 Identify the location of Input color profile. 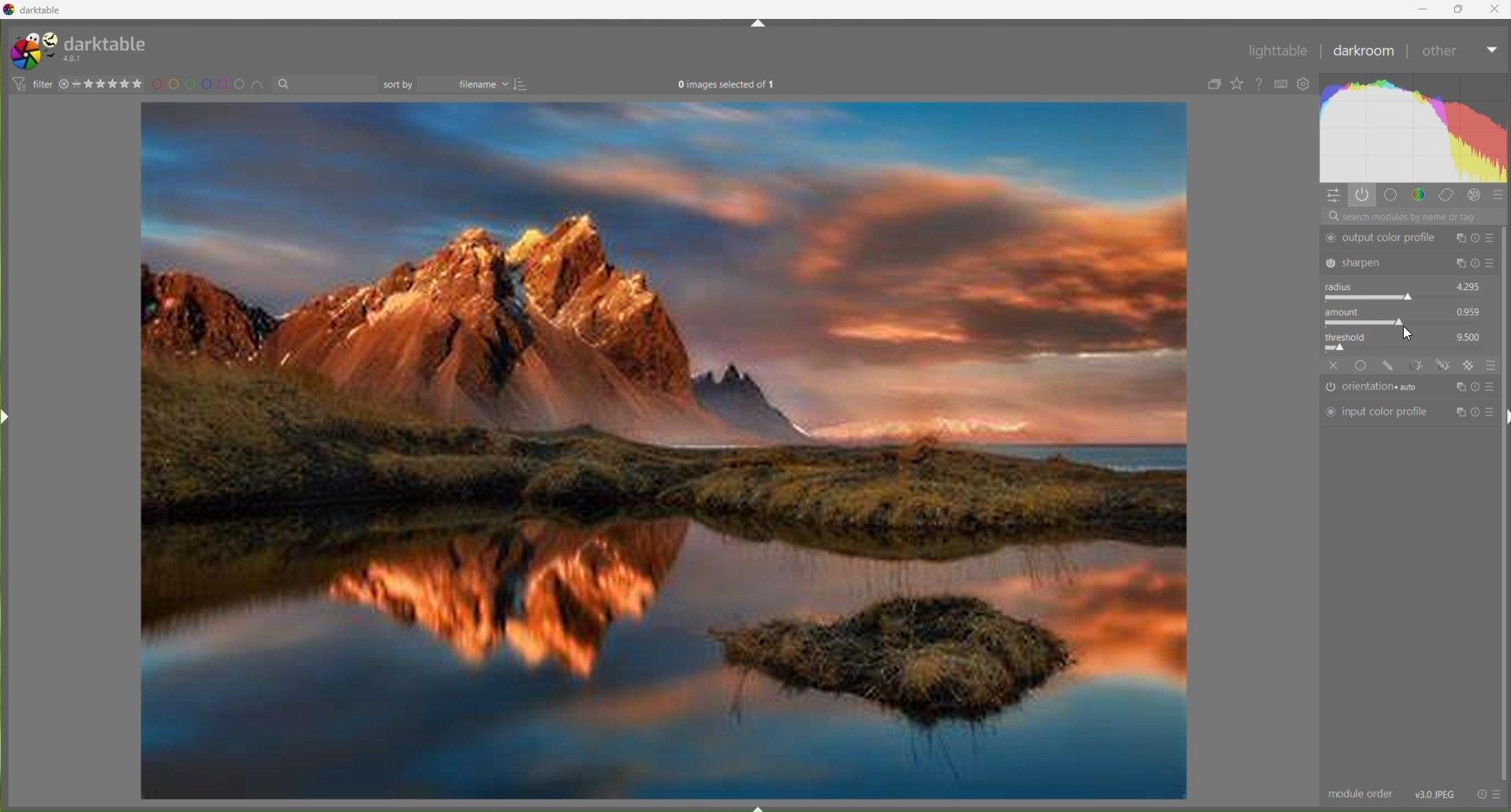
(1377, 412).